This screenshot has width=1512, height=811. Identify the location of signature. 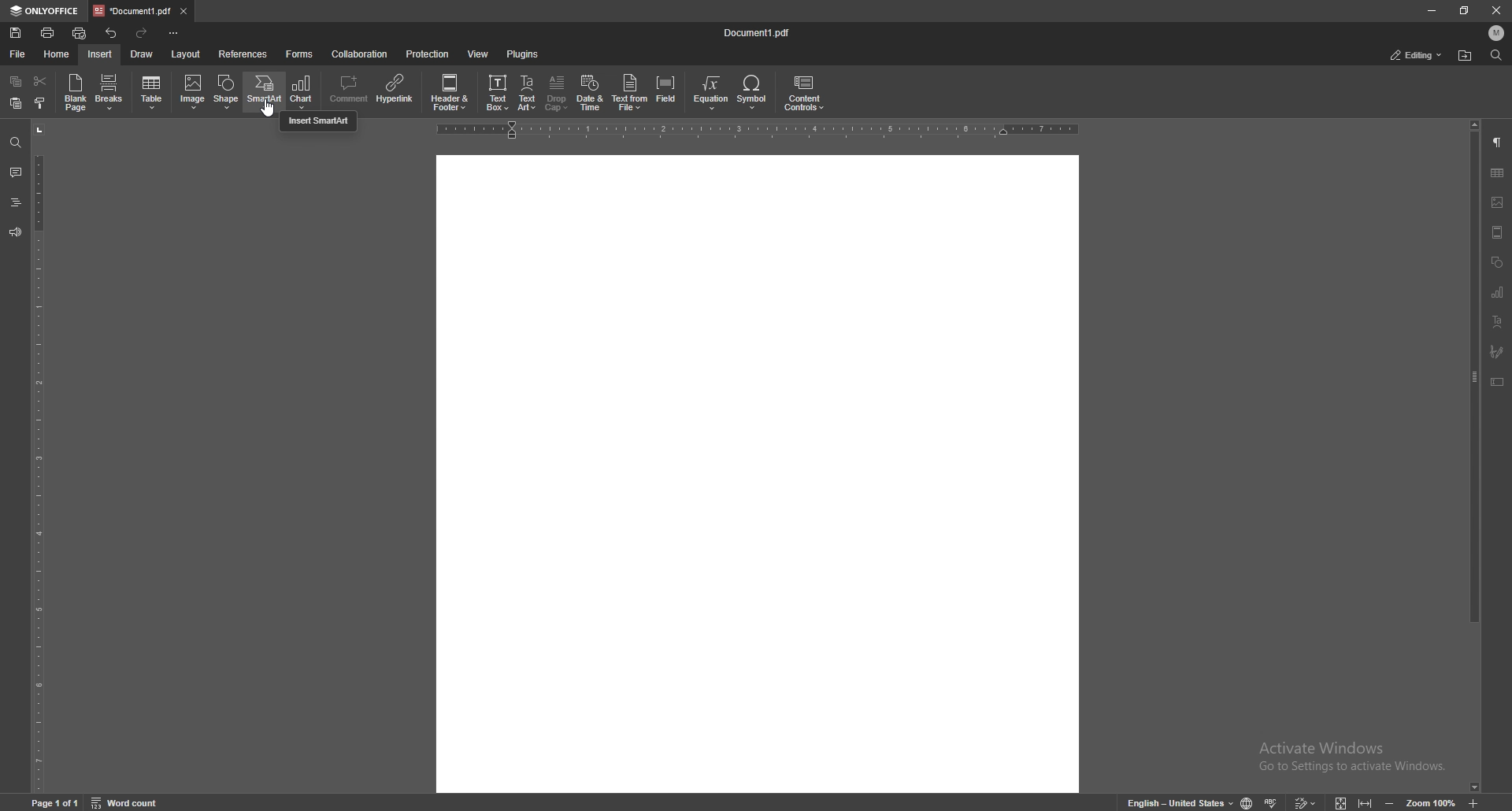
(1497, 351).